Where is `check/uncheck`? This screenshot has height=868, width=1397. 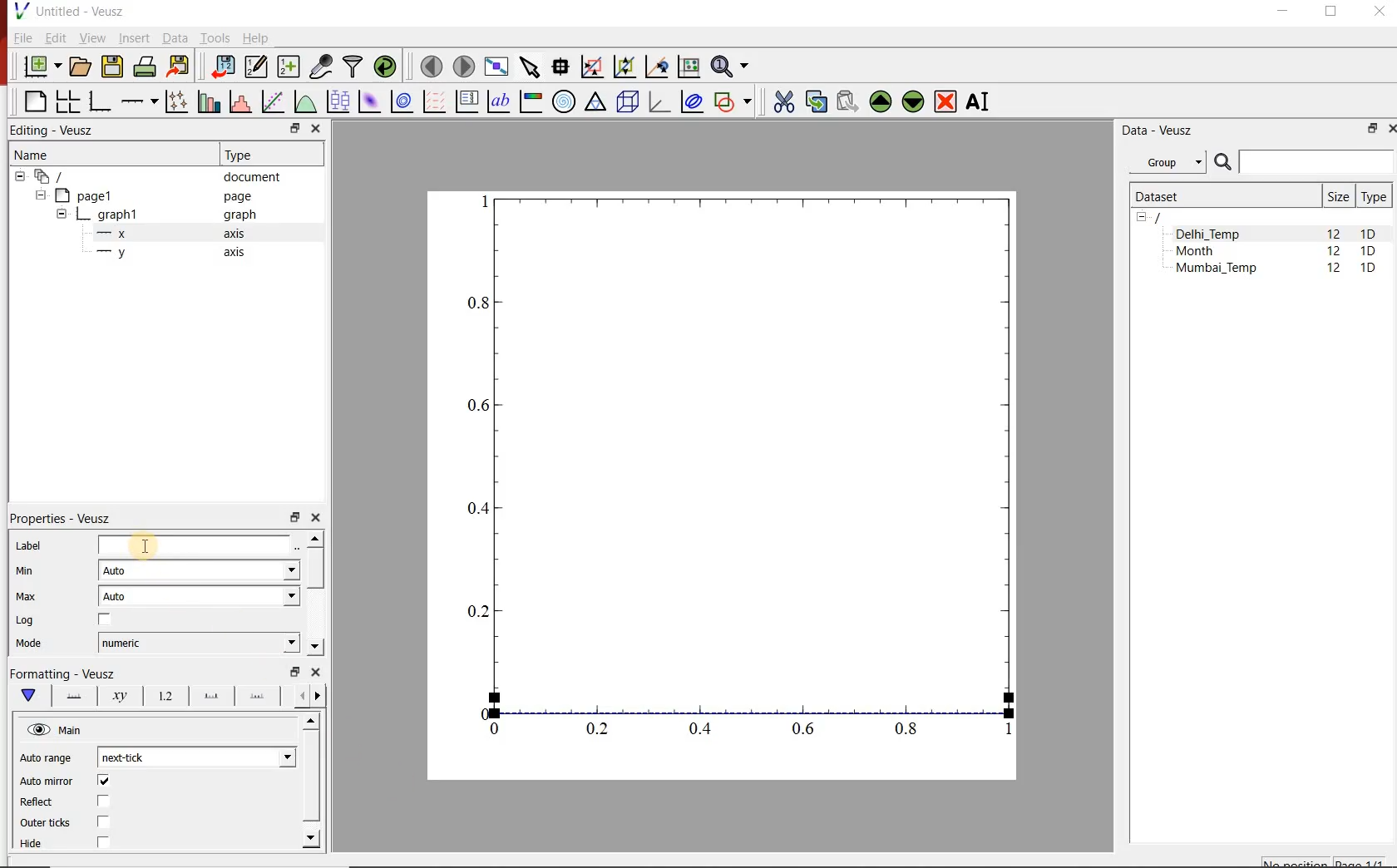 check/uncheck is located at coordinates (103, 821).